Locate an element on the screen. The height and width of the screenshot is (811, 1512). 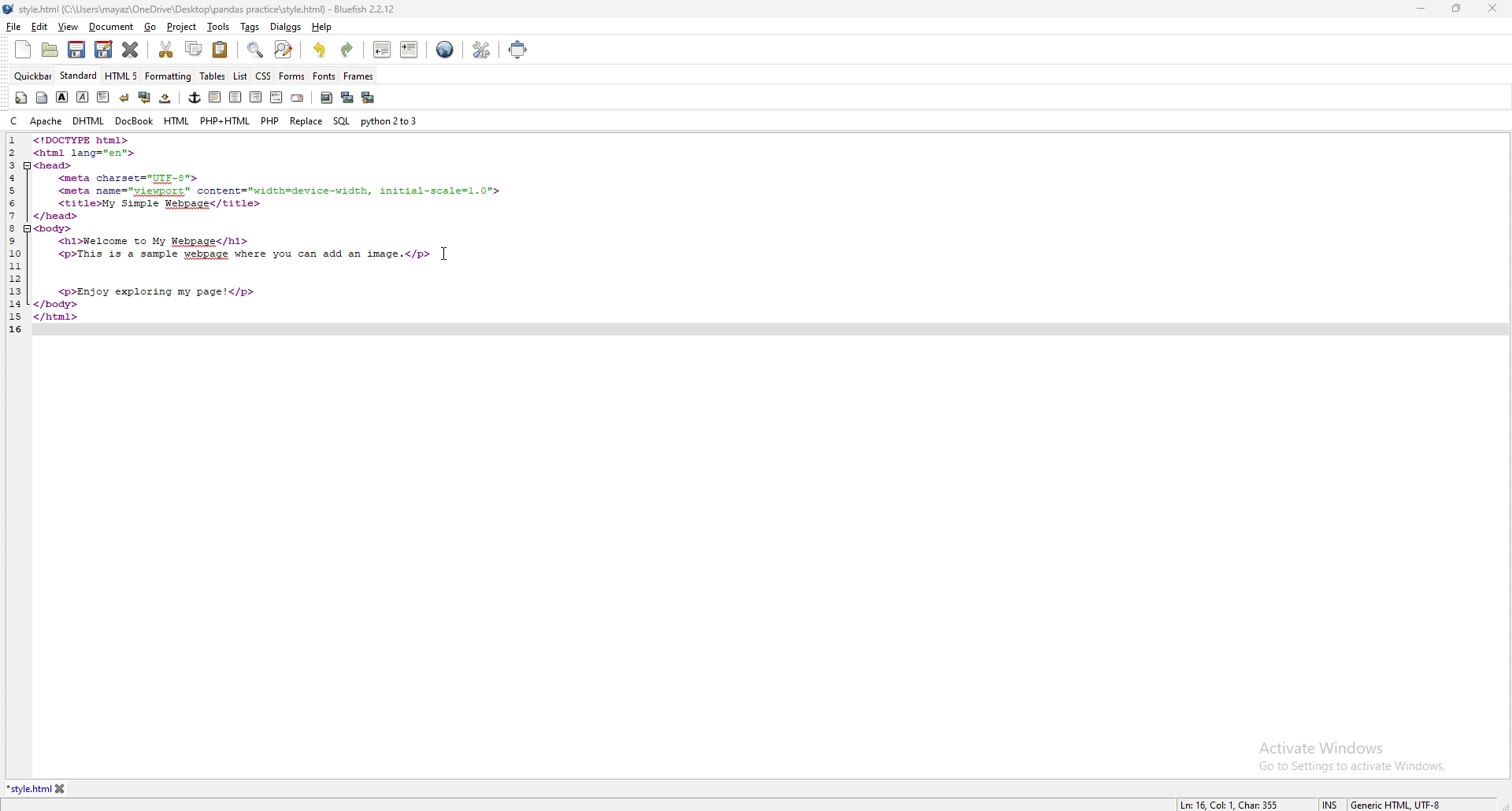
multi thumbnail is located at coordinates (367, 98).